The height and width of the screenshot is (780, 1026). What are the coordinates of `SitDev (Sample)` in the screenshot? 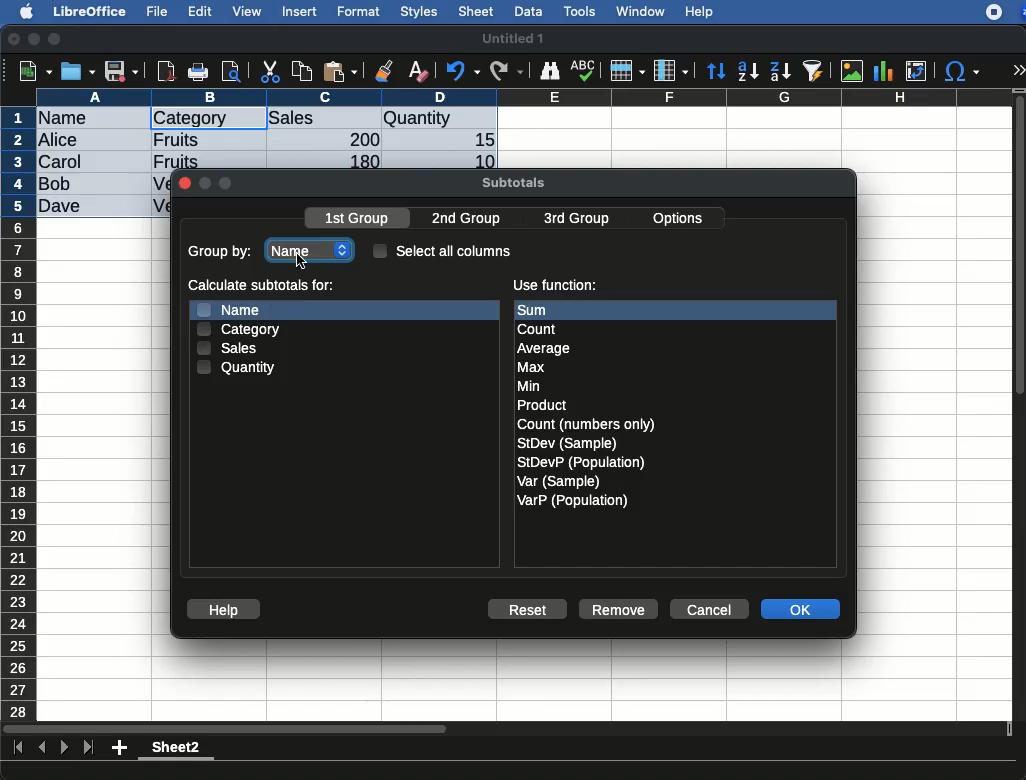 It's located at (568, 443).